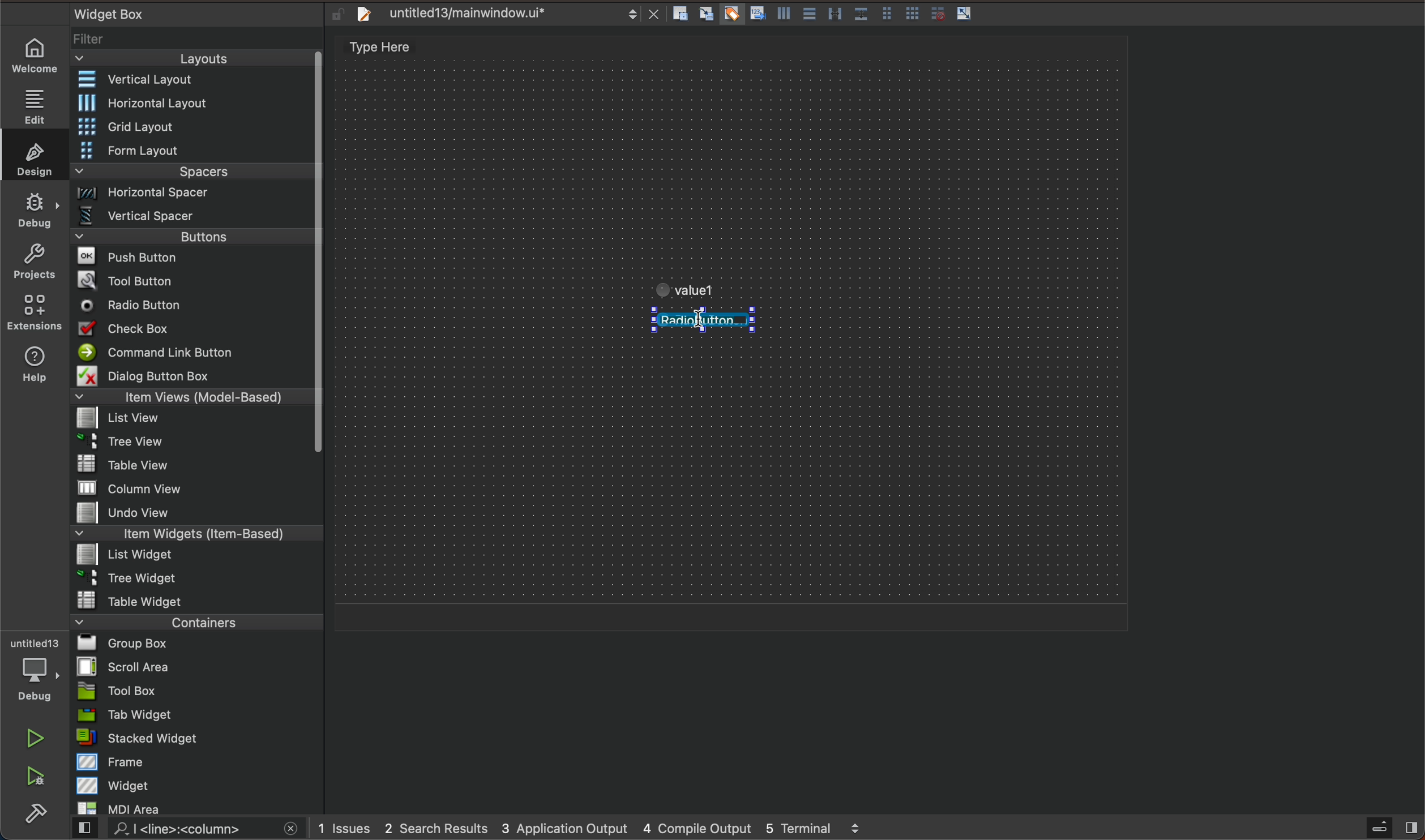 The image size is (1425, 840). What do you see at coordinates (200, 103) in the screenshot?
I see `` at bounding box center [200, 103].